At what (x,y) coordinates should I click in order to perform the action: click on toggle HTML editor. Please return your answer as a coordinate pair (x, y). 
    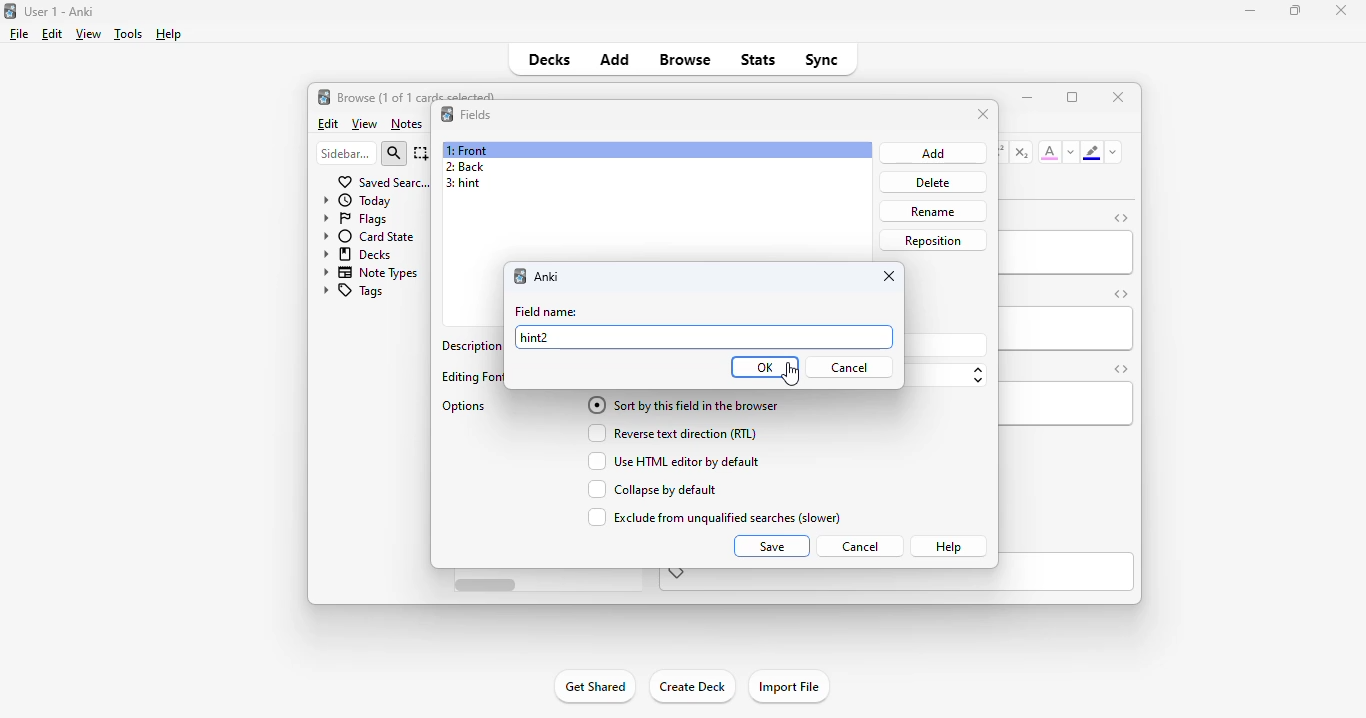
    Looking at the image, I should click on (1122, 218).